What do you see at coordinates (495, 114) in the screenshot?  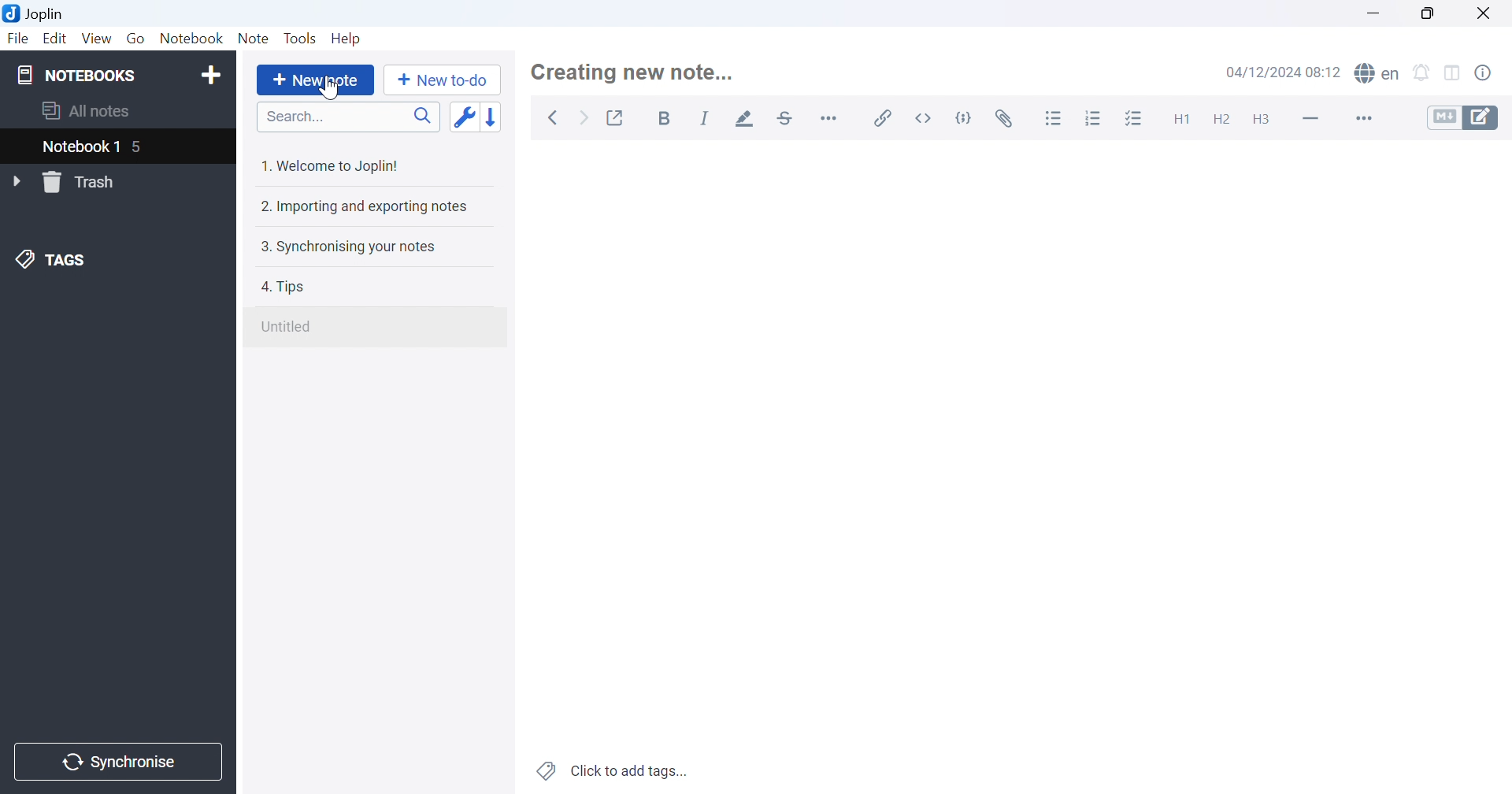 I see `Reverse sort order` at bounding box center [495, 114].